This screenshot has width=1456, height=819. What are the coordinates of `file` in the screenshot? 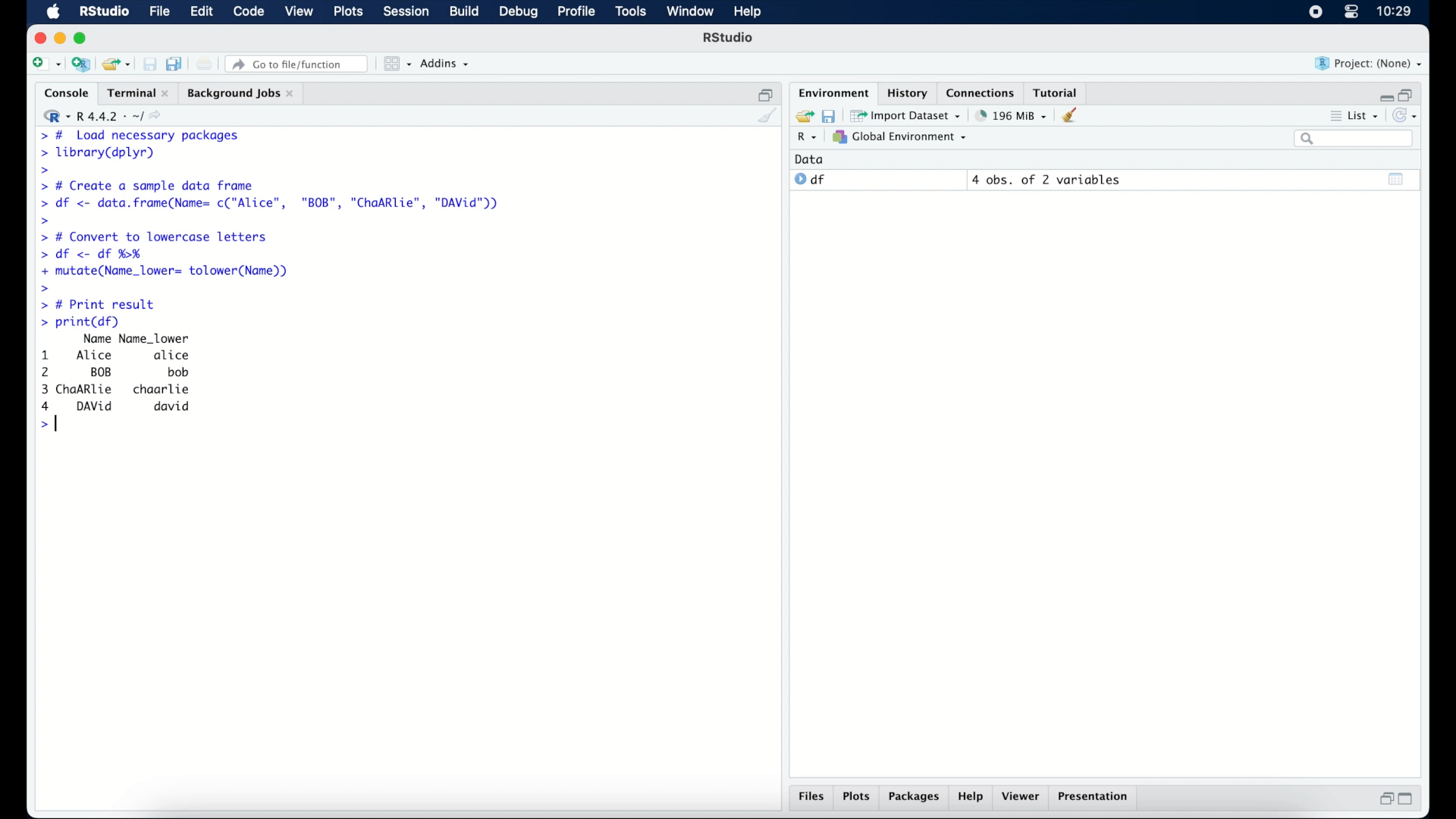 It's located at (158, 12).